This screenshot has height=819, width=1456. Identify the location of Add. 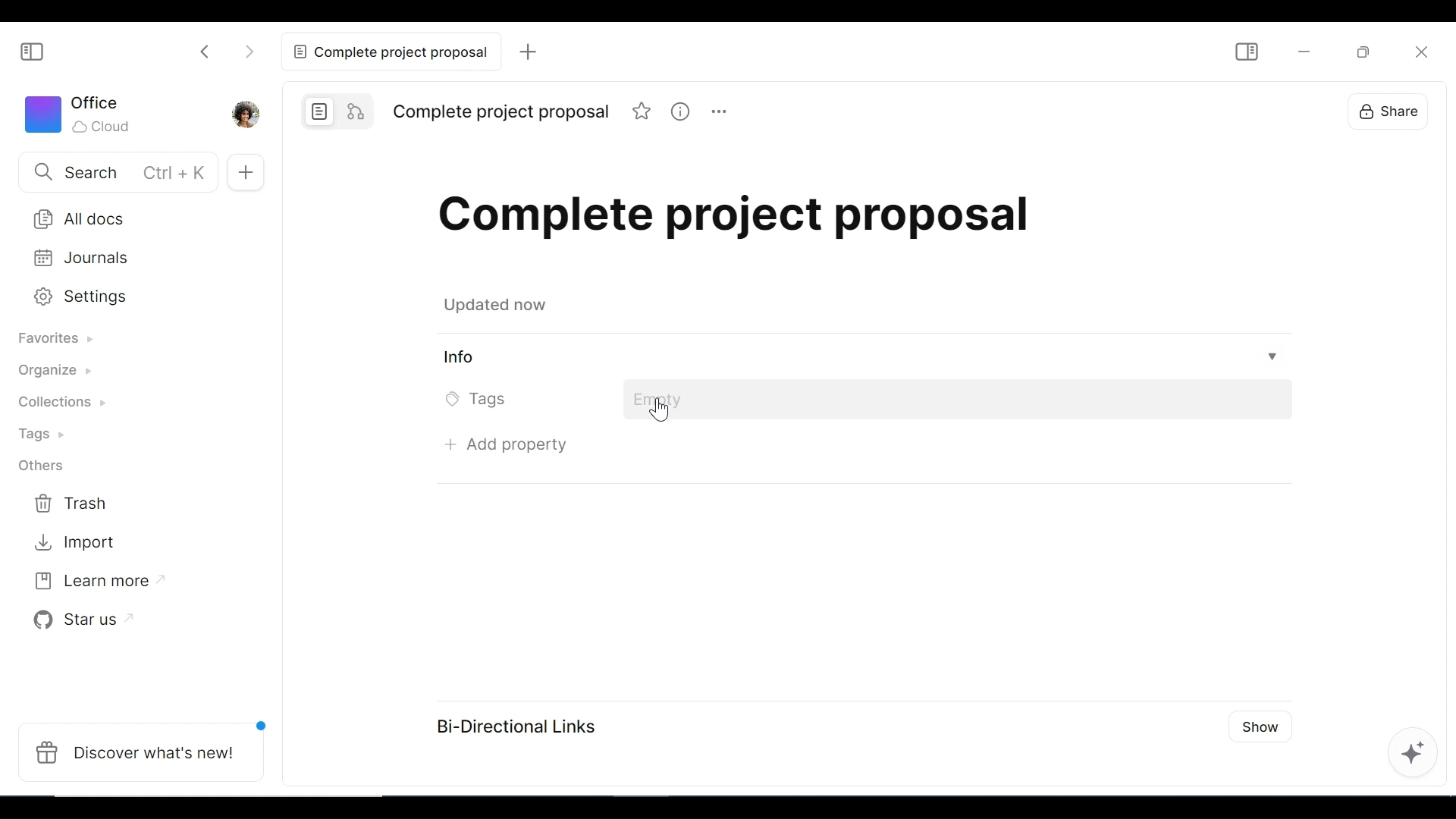
(529, 52).